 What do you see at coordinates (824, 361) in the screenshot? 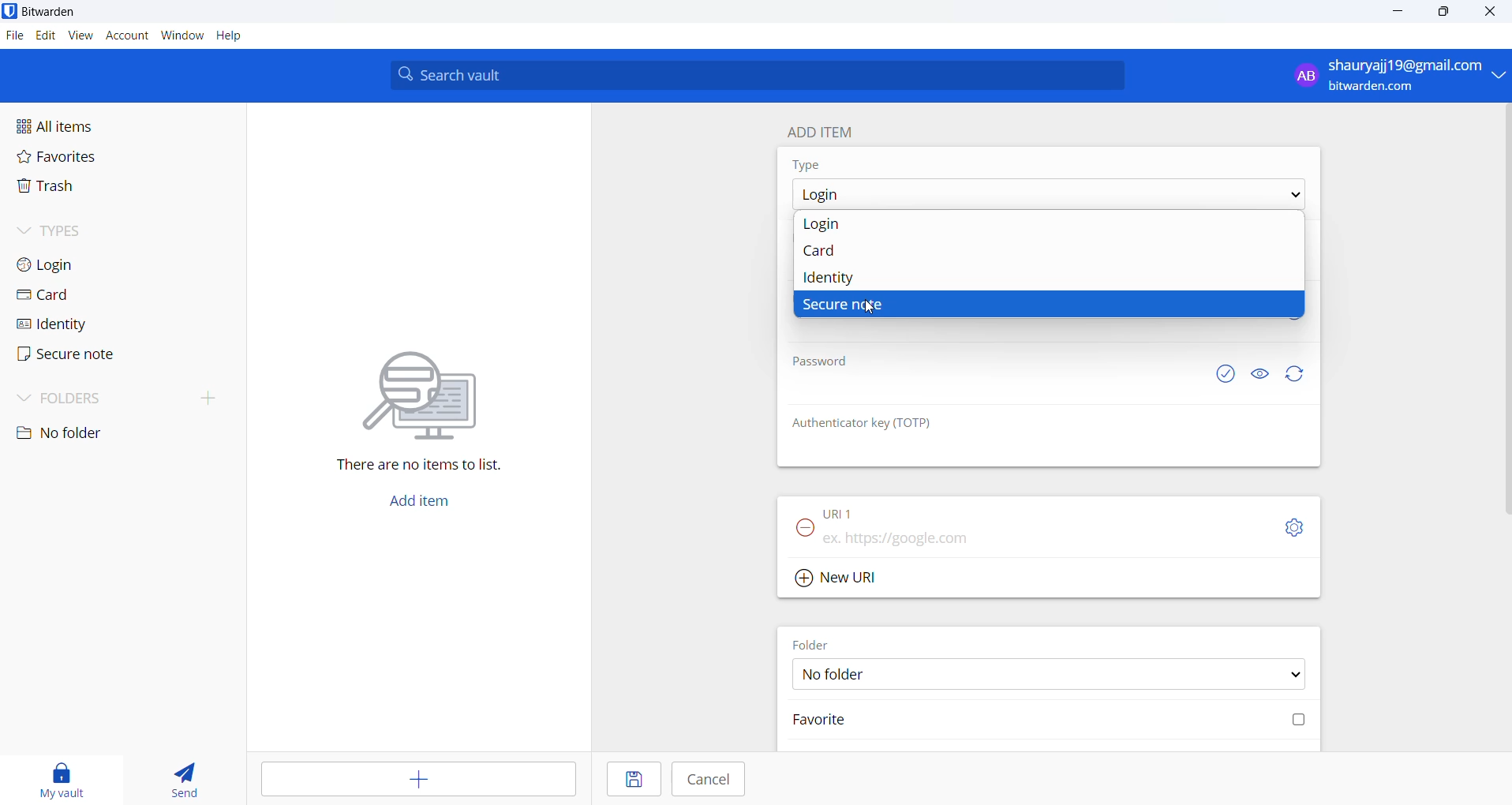
I see `password heading` at bounding box center [824, 361].